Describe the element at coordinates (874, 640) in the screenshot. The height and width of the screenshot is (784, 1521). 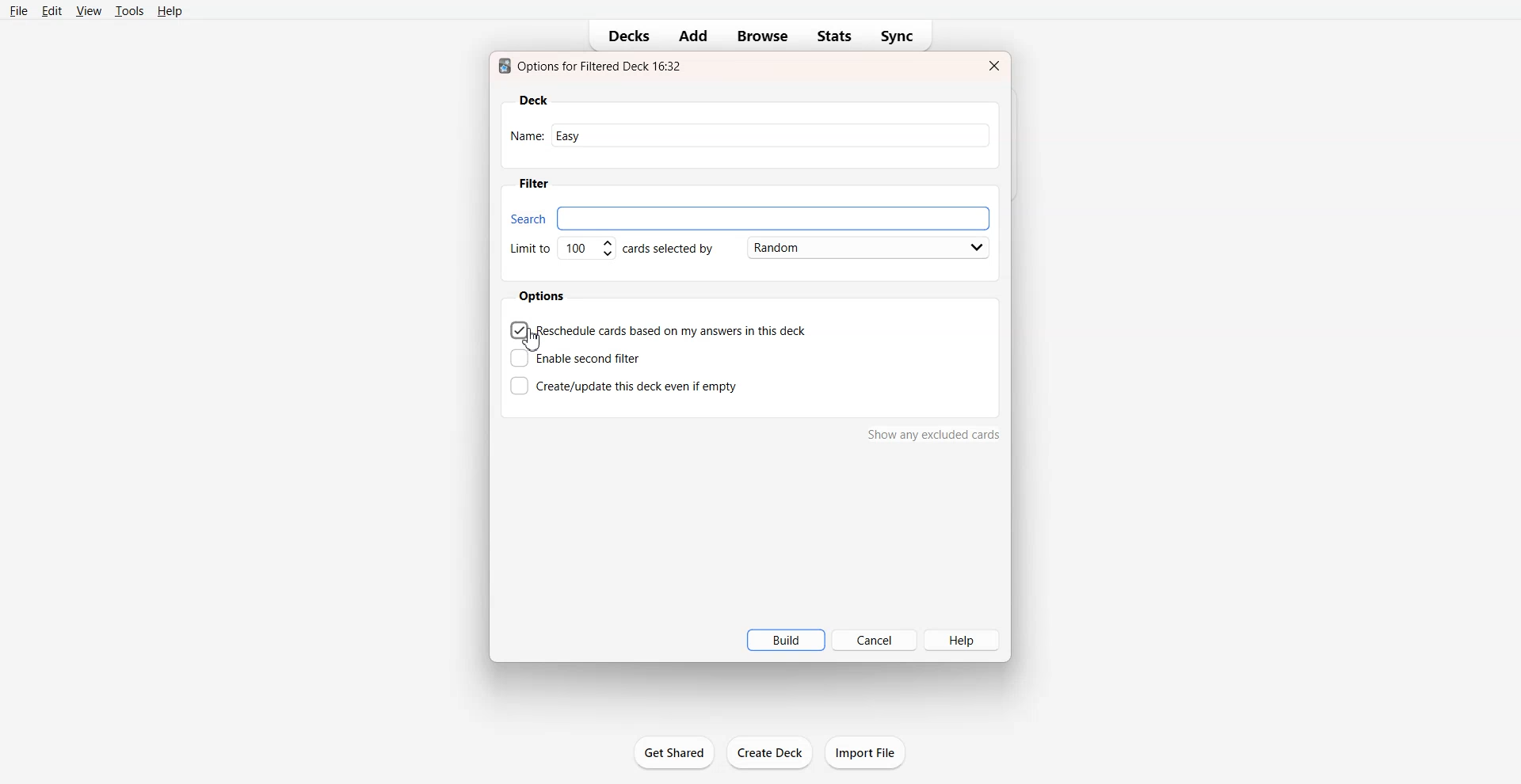
I see `Cancel` at that location.